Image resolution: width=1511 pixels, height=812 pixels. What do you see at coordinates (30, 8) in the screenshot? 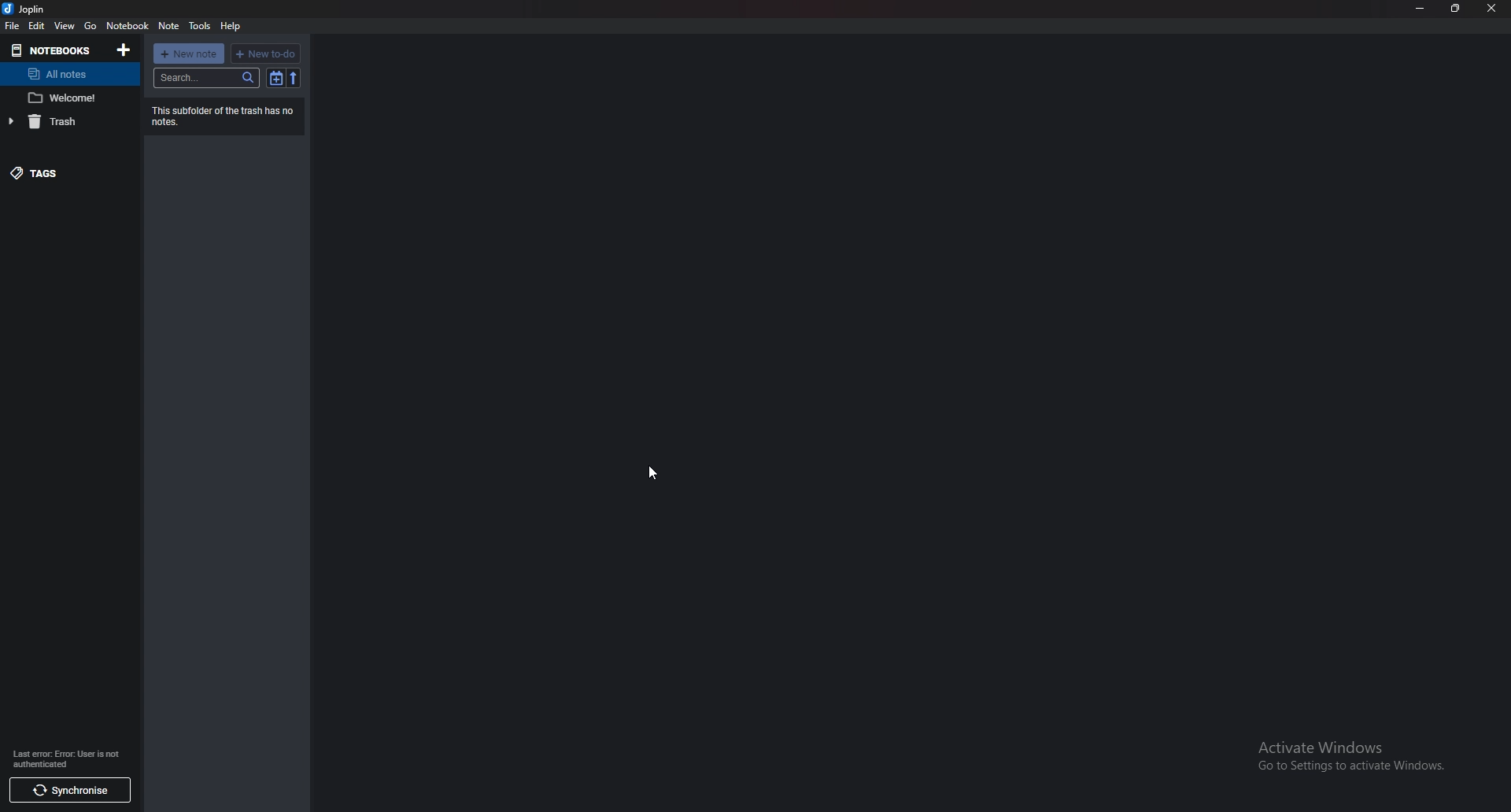
I see `joplin` at bounding box center [30, 8].